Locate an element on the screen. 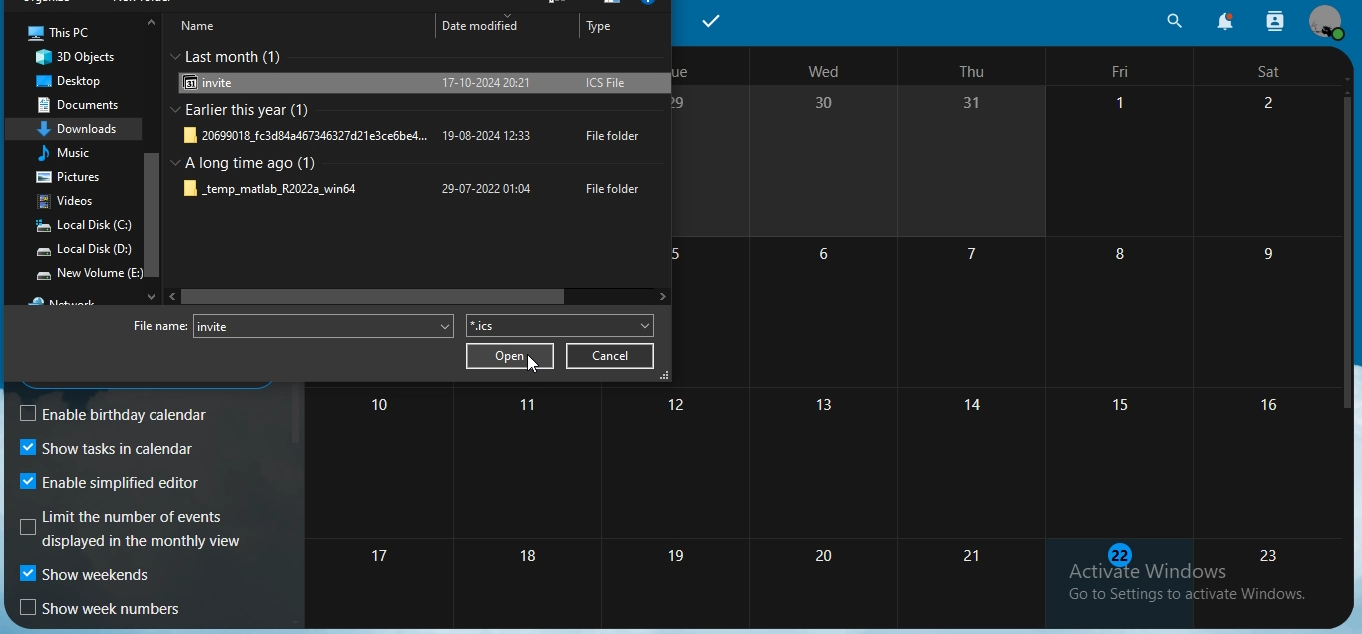 This screenshot has width=1362, height=634. desktop is located at coordinates (72, 82).